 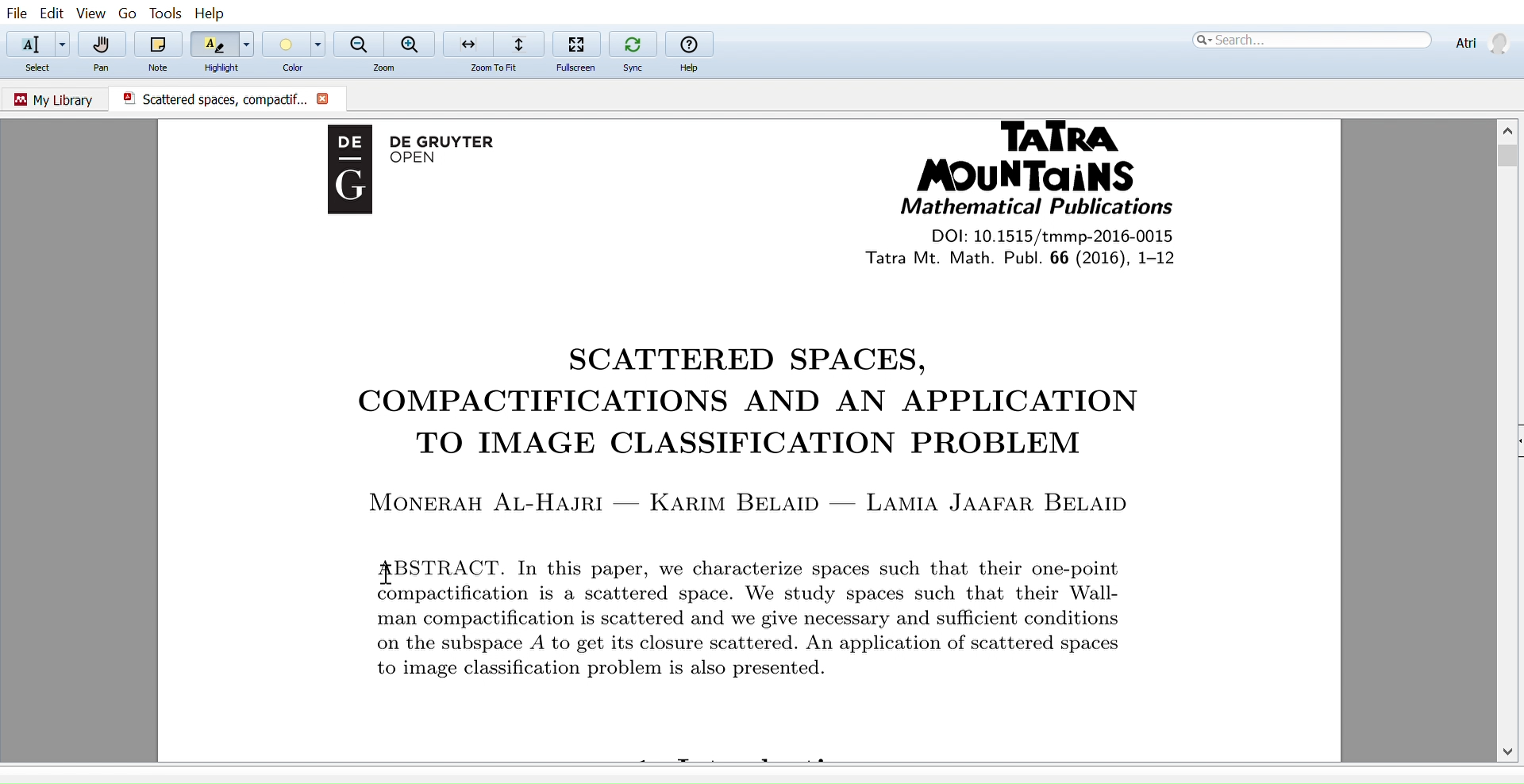 I want to click on on the subspace A to get its closure scattererd. An application of scattered spaces, so click(x=771, y=644).